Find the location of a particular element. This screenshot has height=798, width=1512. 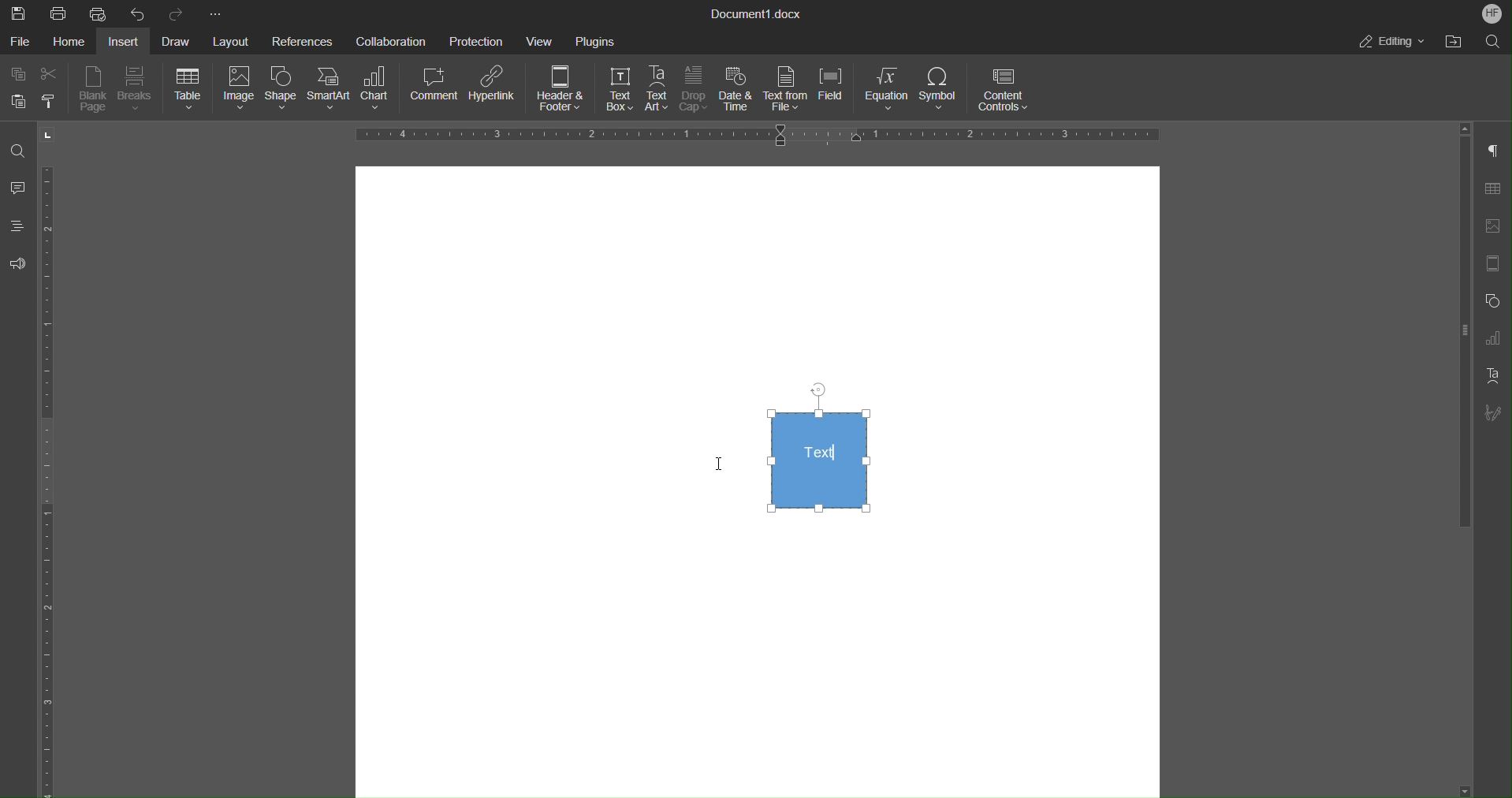

Redo is located at coordinates (177, 13).